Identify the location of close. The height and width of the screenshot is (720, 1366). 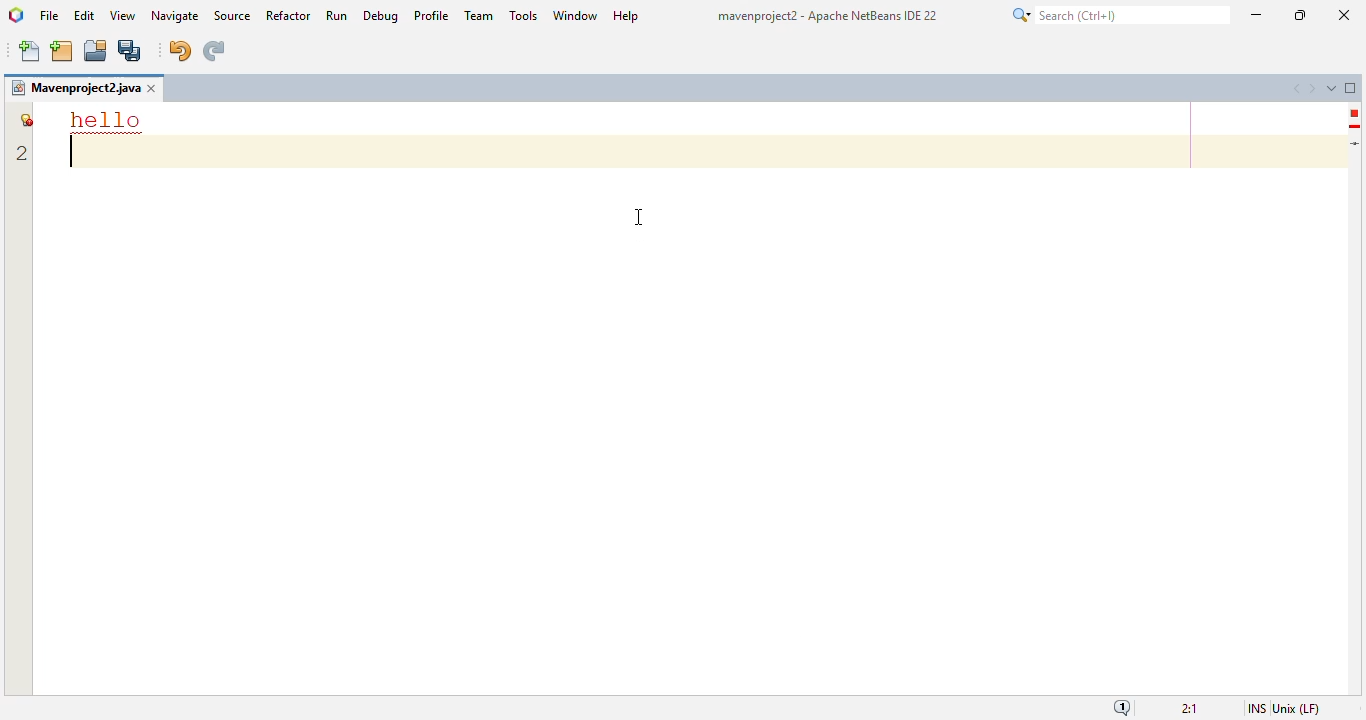
(1345, 16).